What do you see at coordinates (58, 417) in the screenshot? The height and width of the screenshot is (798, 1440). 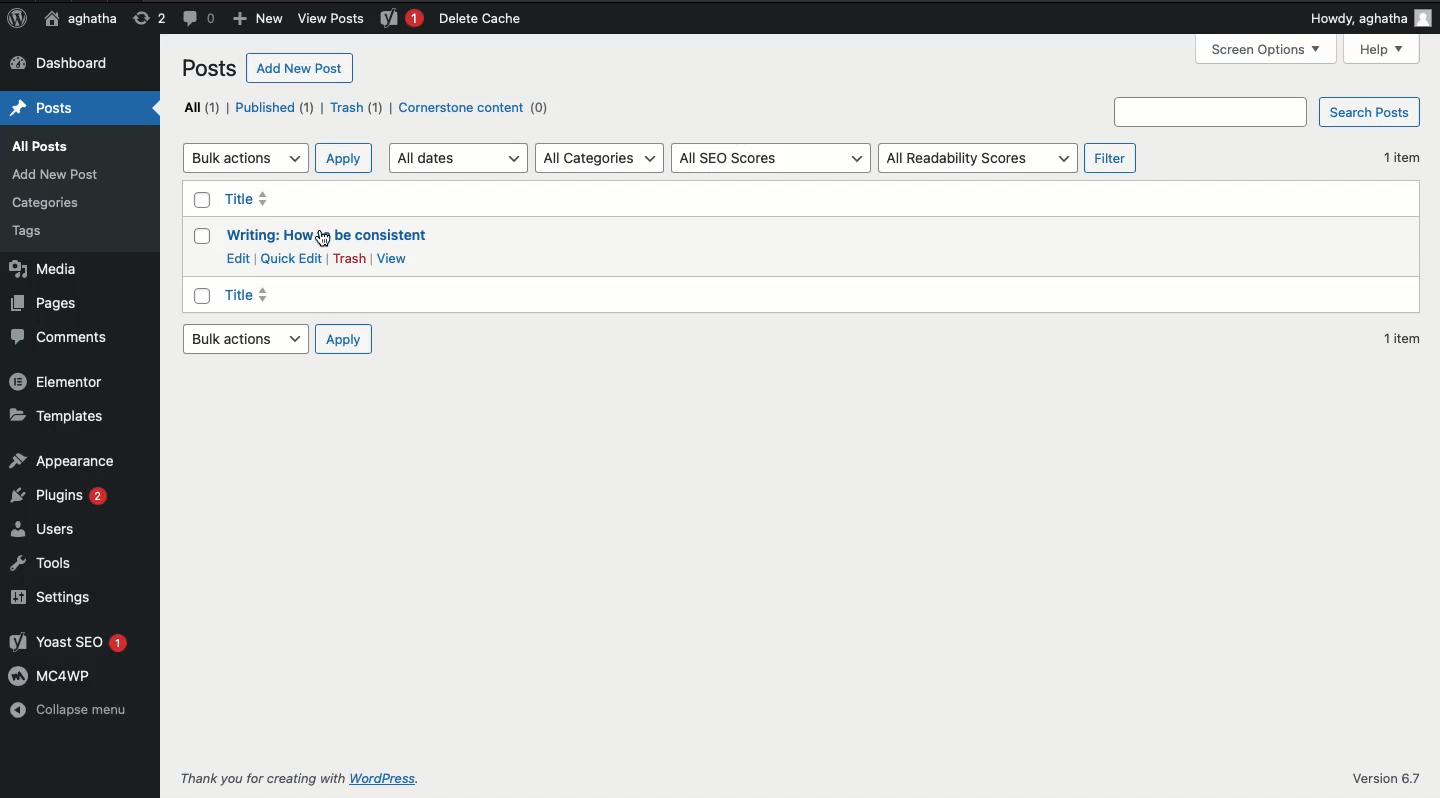 I see `Templates` at bounding box center [58, 417].